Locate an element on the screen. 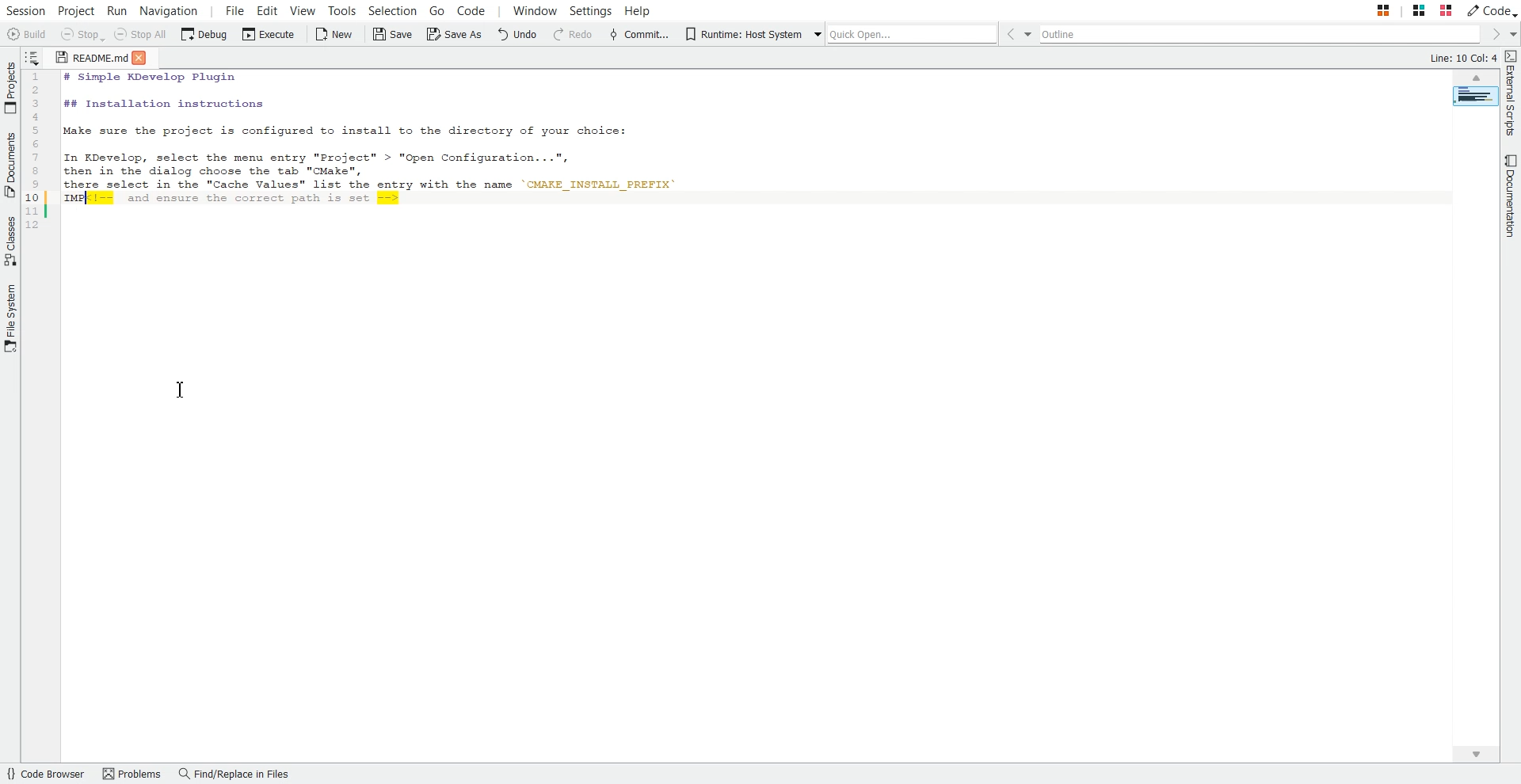 This screenshot has width=1521, height=784. Code Browser is located at coordinates (46, 774).